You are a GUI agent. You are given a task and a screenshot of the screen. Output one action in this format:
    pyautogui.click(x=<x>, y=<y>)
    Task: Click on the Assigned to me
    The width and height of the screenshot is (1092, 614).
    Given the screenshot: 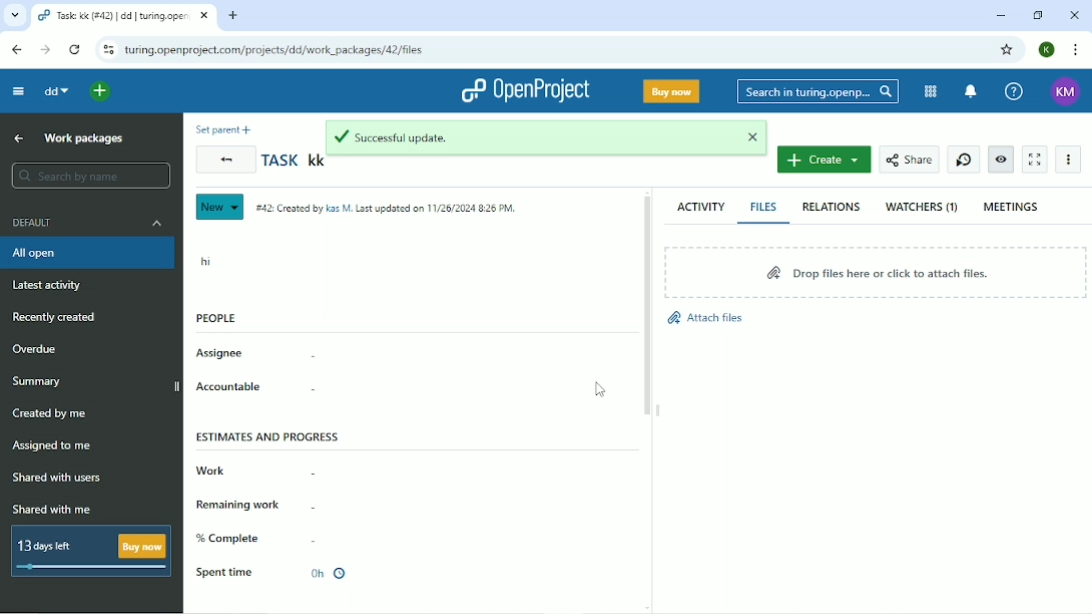 What is the action you would take?
    pyautogui.click(x=54, y=446)
    